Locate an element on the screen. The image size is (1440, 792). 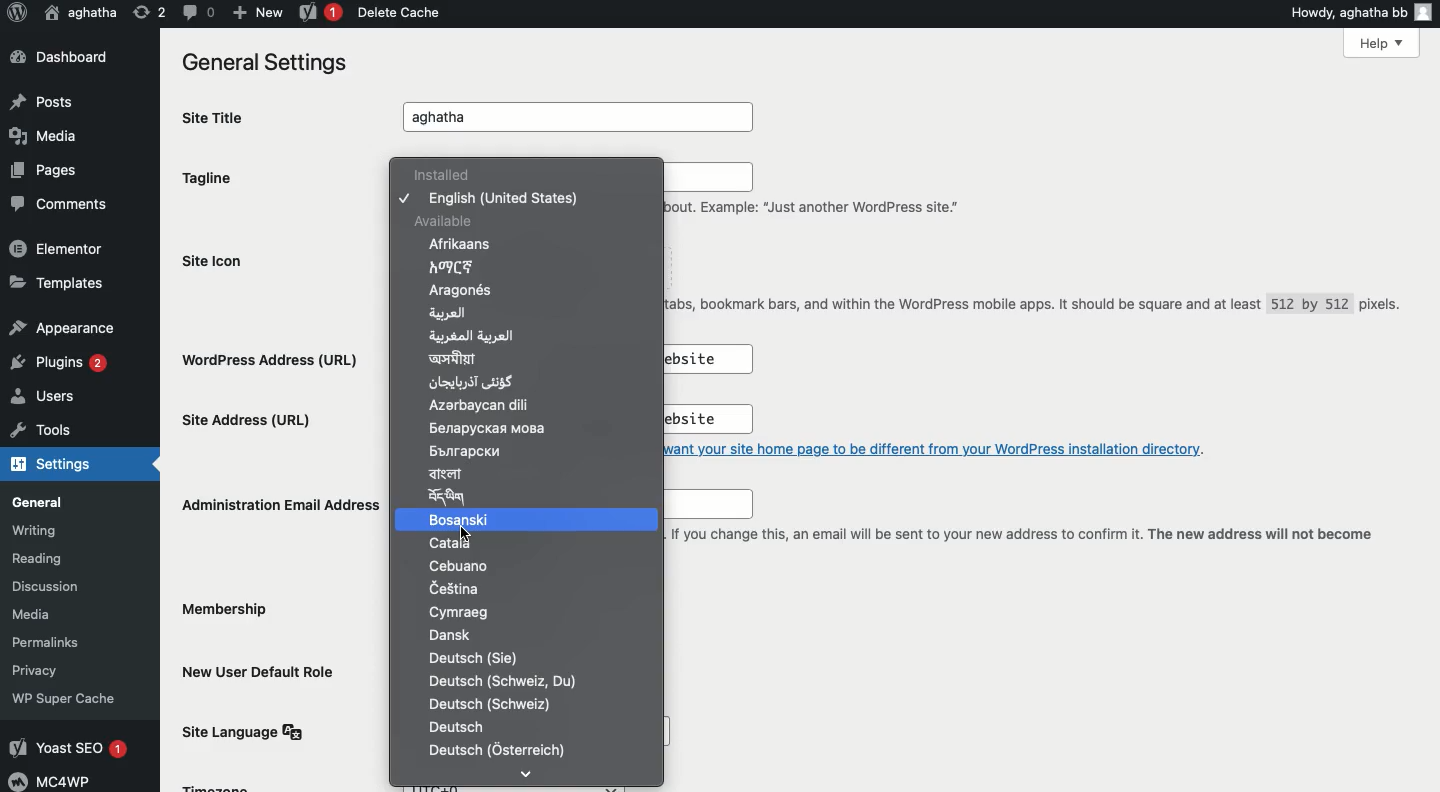
WP Super Cache is located at coordinates (67, 698).